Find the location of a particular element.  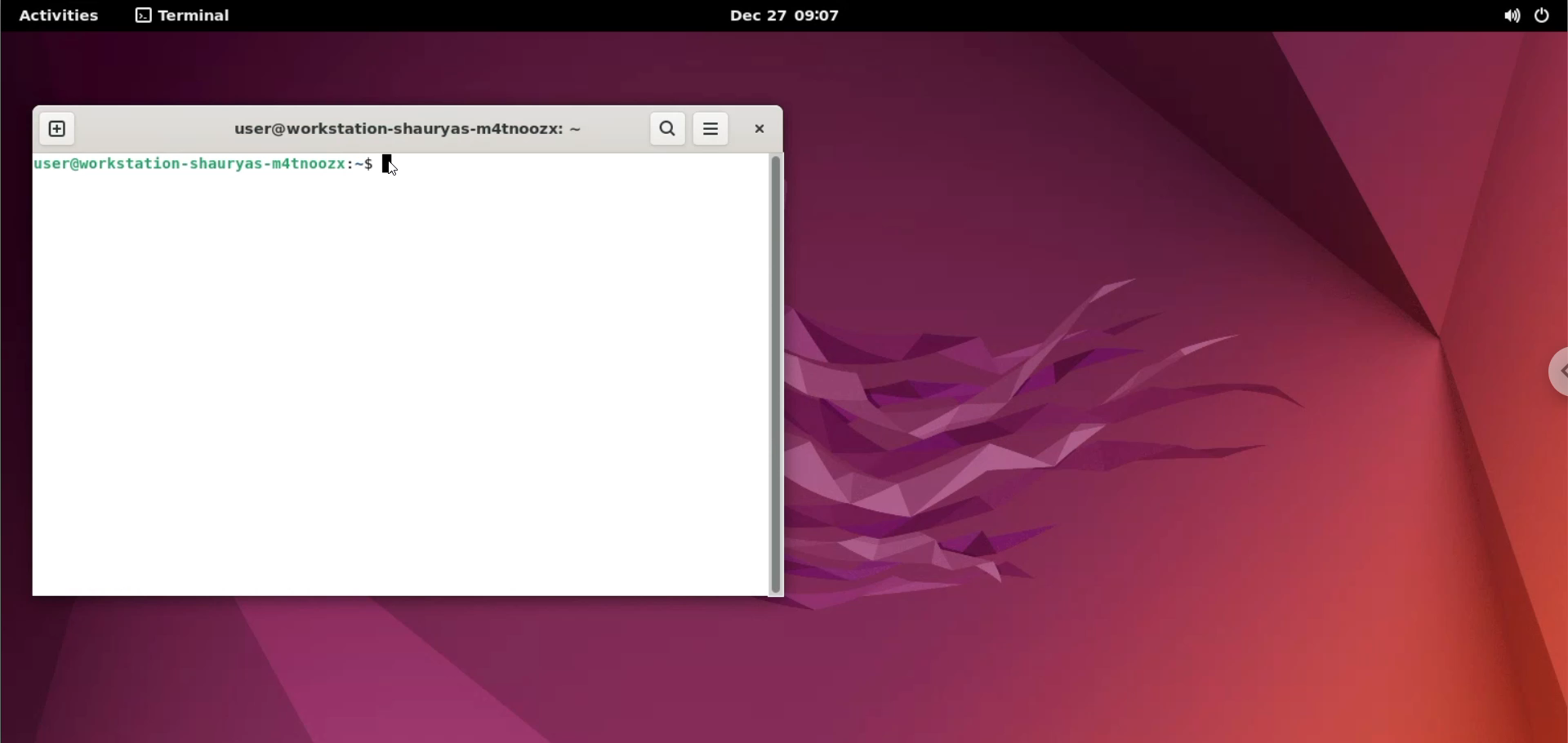

Dec 27 09:07 is located at coordinates (790, 16).